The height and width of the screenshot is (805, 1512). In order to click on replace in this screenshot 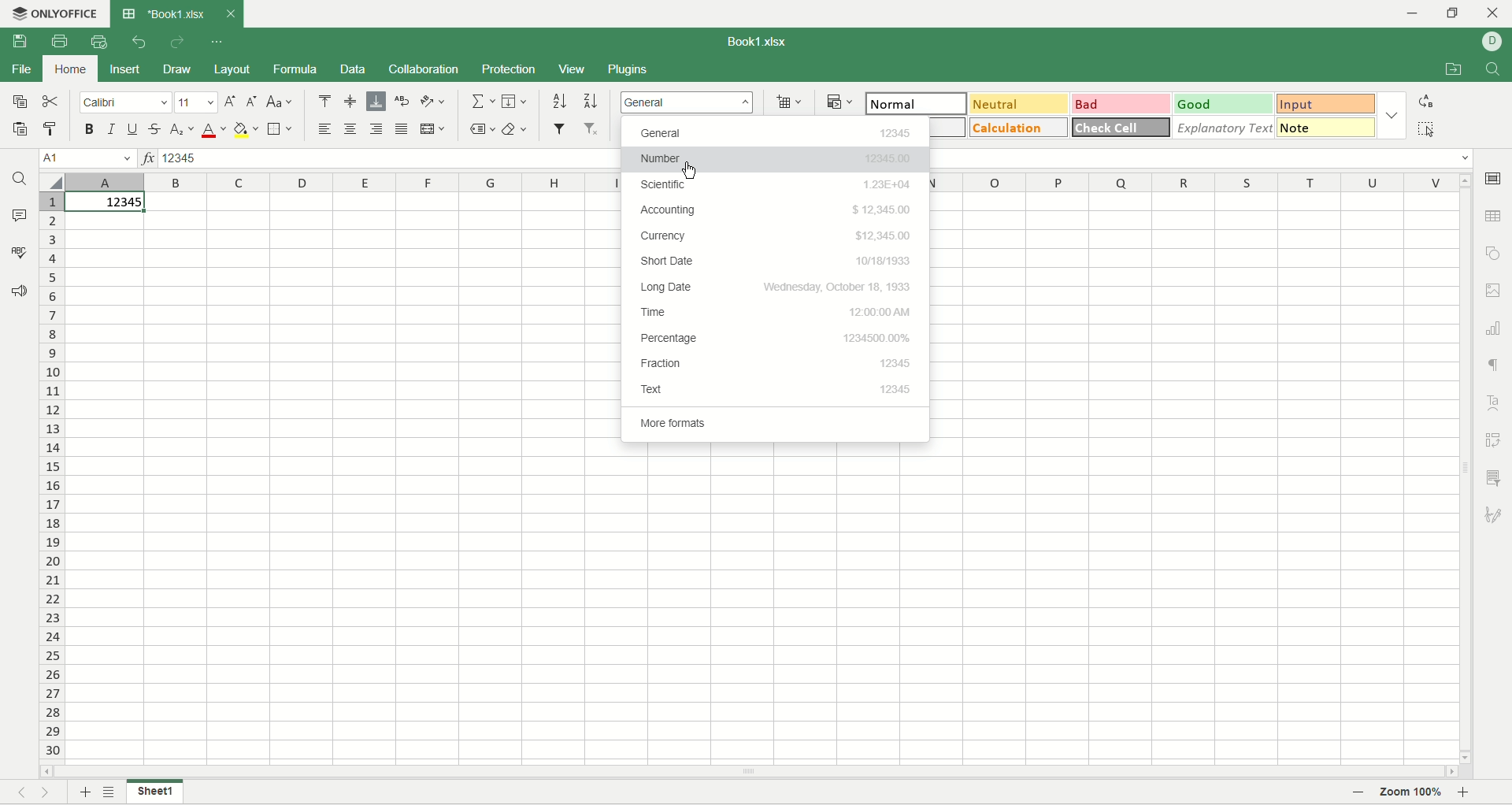, I will do `click(1425, 101)`.